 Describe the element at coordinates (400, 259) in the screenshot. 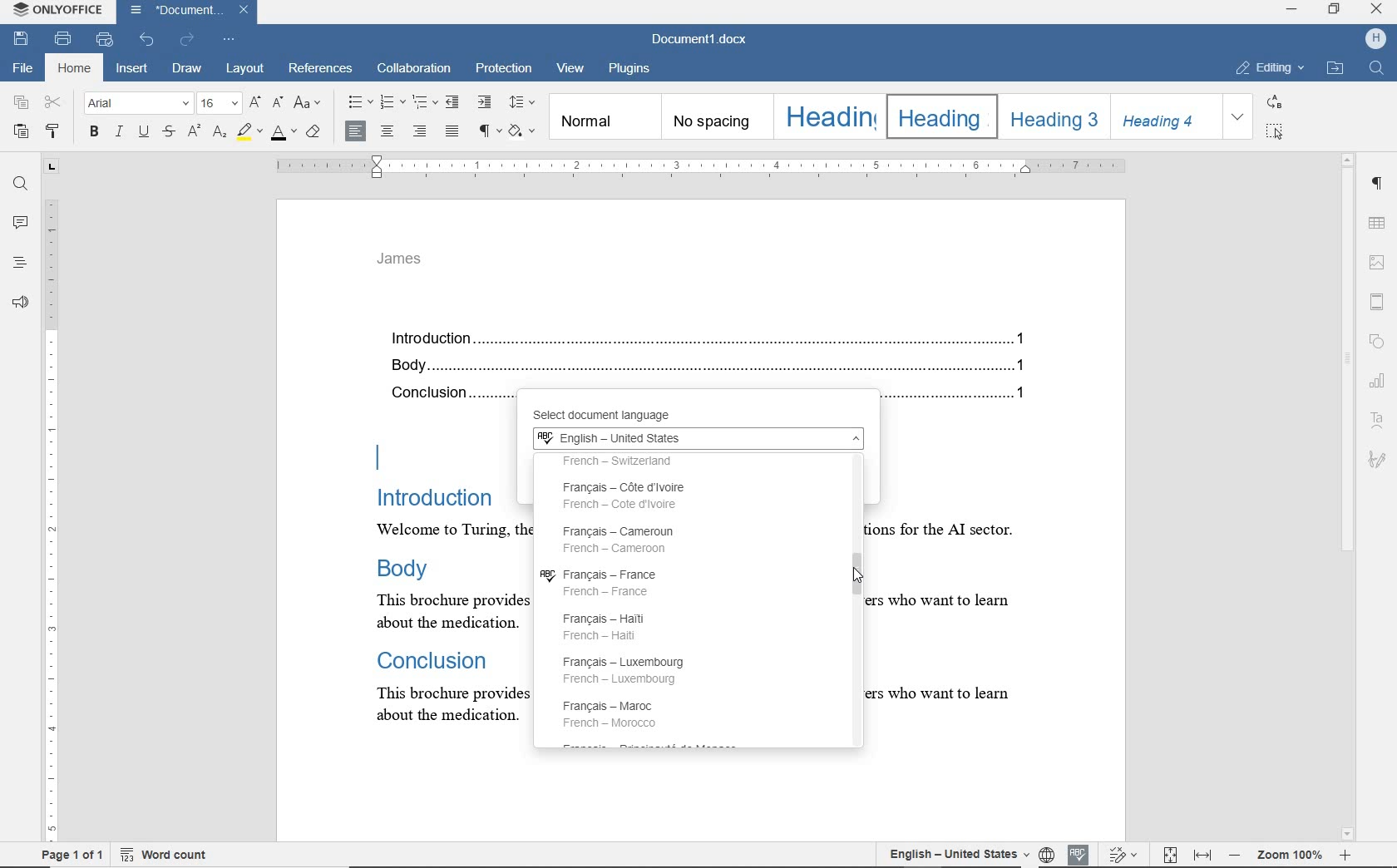

I see `james` at that location.